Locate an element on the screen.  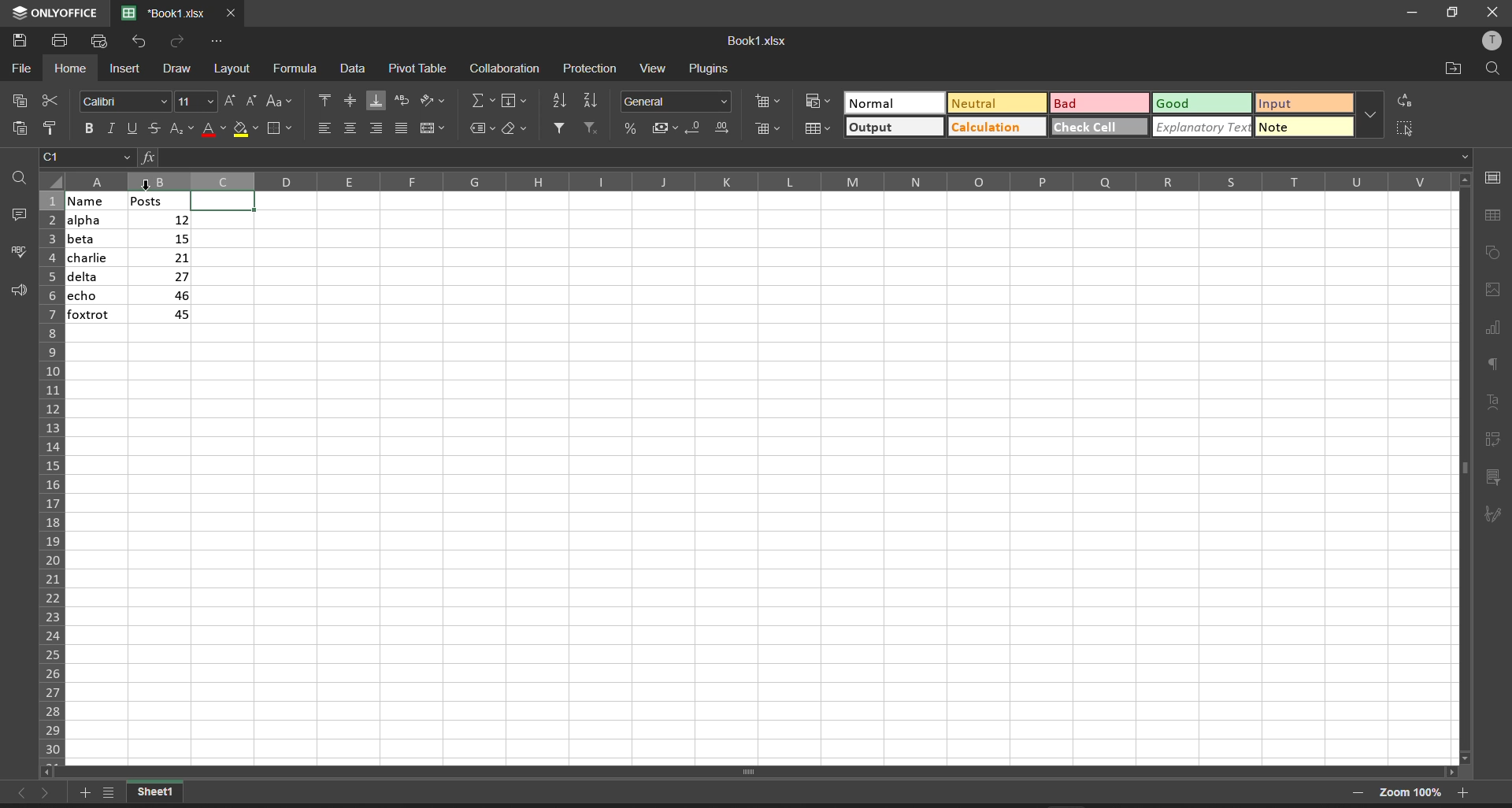
print is located at coordinates (61, 42).